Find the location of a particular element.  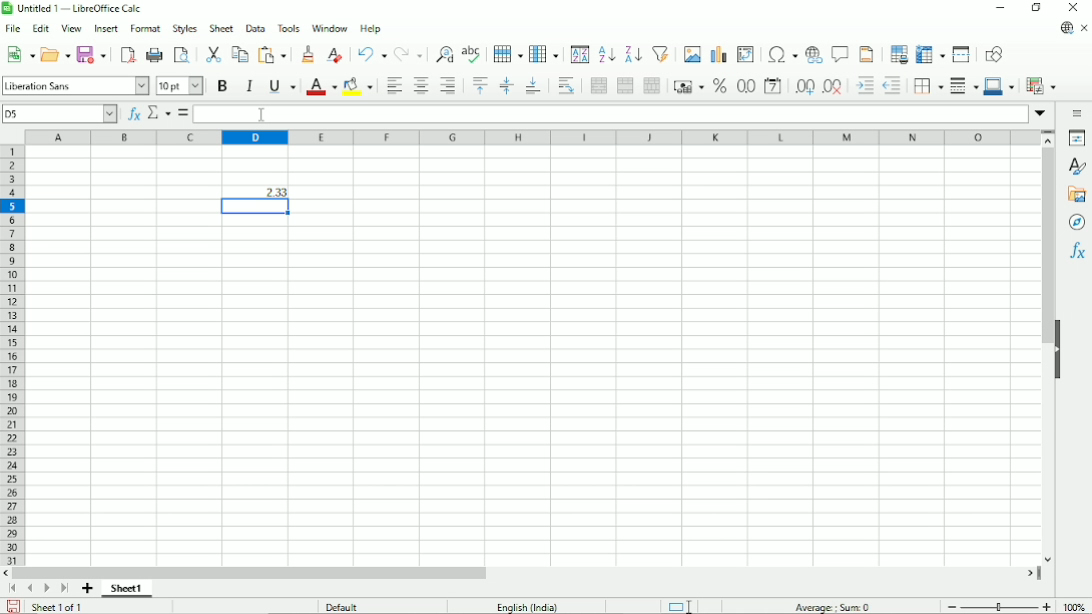

Horizontal scrollbar is located at coordinates (249, 573).